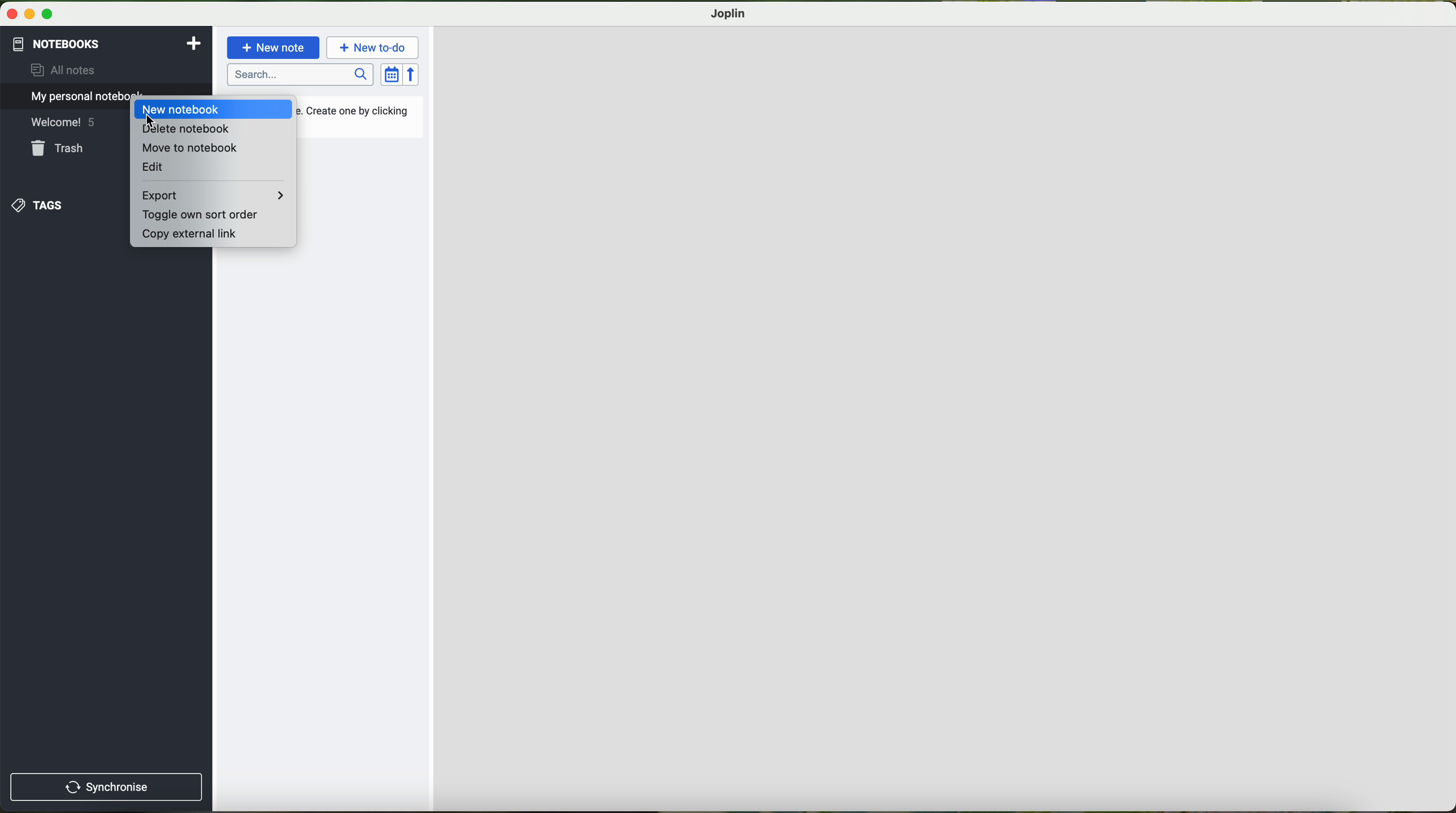 The image size is (1456, 813). What do you see at coordinates (31, 15) in the screenshot?
I see `minimize` at bounding box center [31, 15].